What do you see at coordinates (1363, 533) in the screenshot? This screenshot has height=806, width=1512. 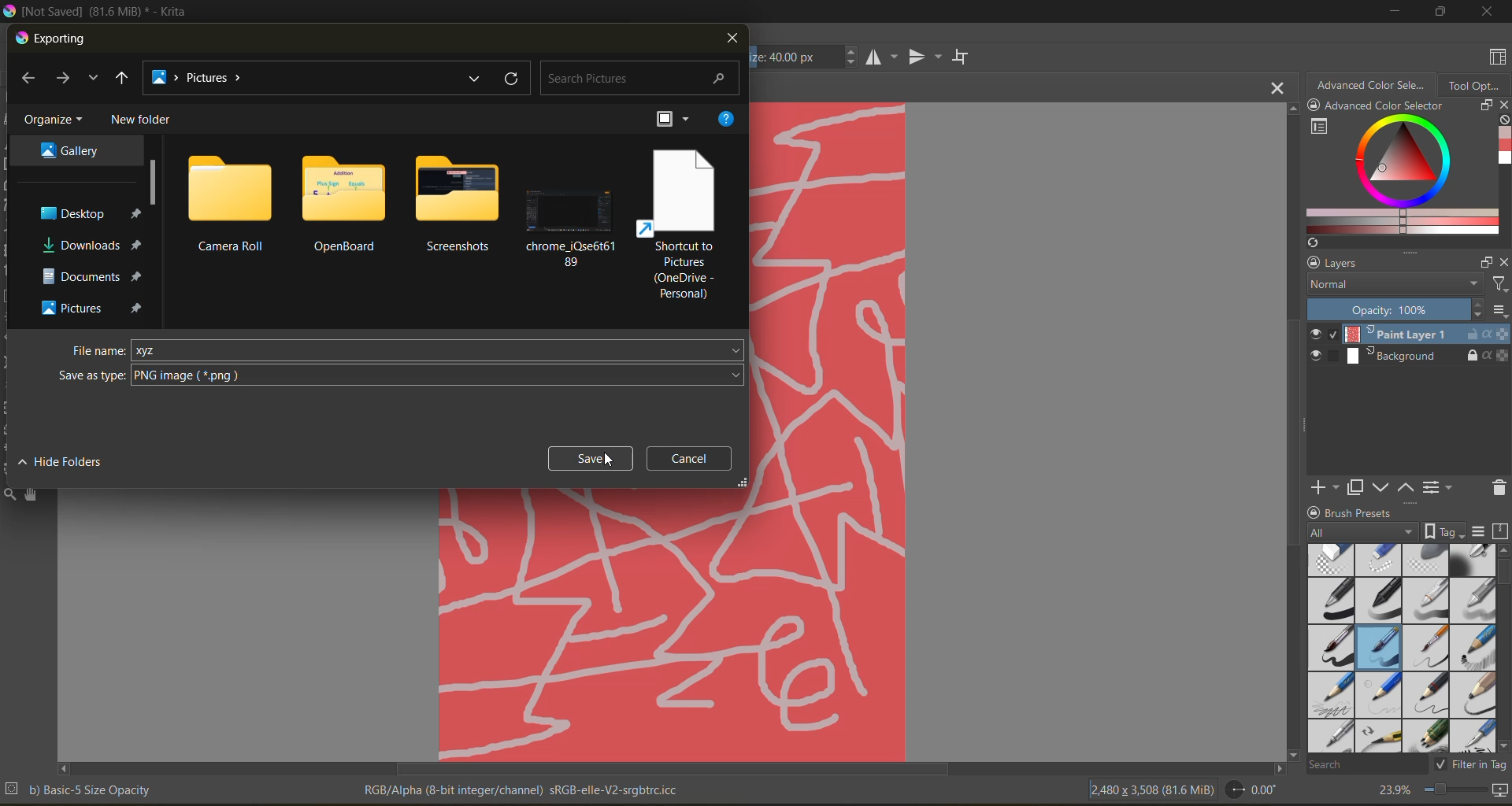 I see `tag` at bounding box center [1363, 533].